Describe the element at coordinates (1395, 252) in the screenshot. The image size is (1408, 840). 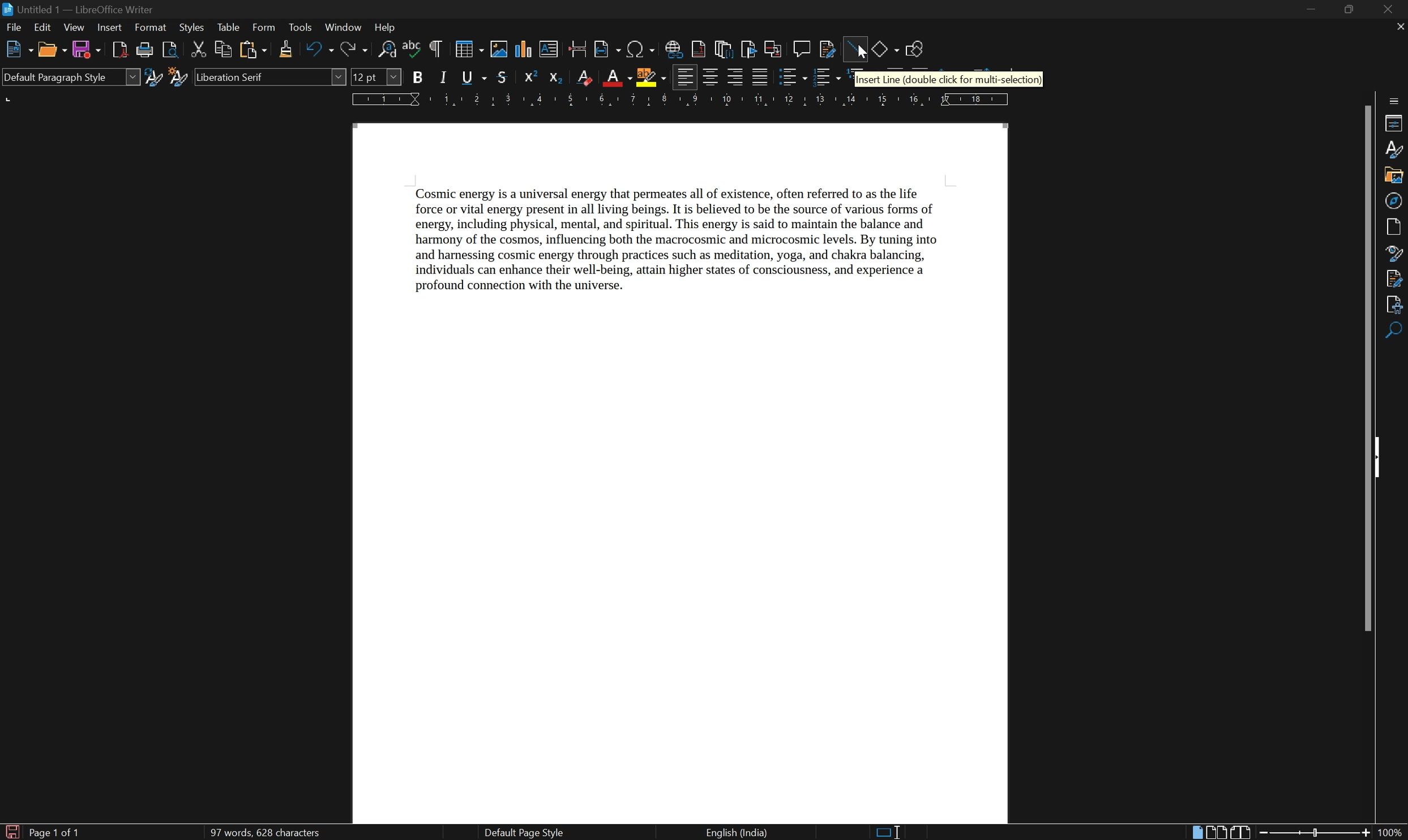
I see `style inspector` at that location.